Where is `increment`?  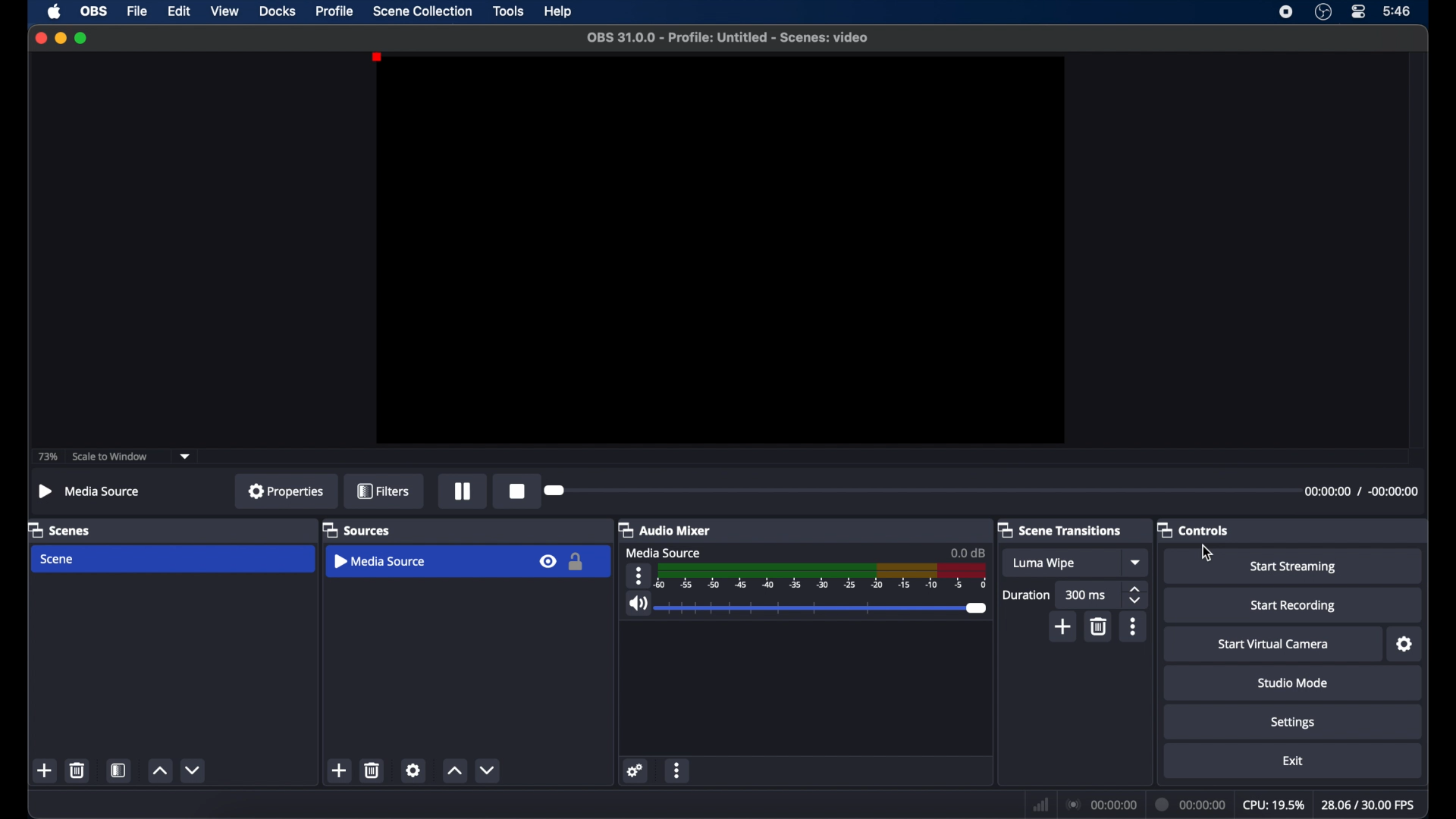 increment is located at coordinates (454, 770).